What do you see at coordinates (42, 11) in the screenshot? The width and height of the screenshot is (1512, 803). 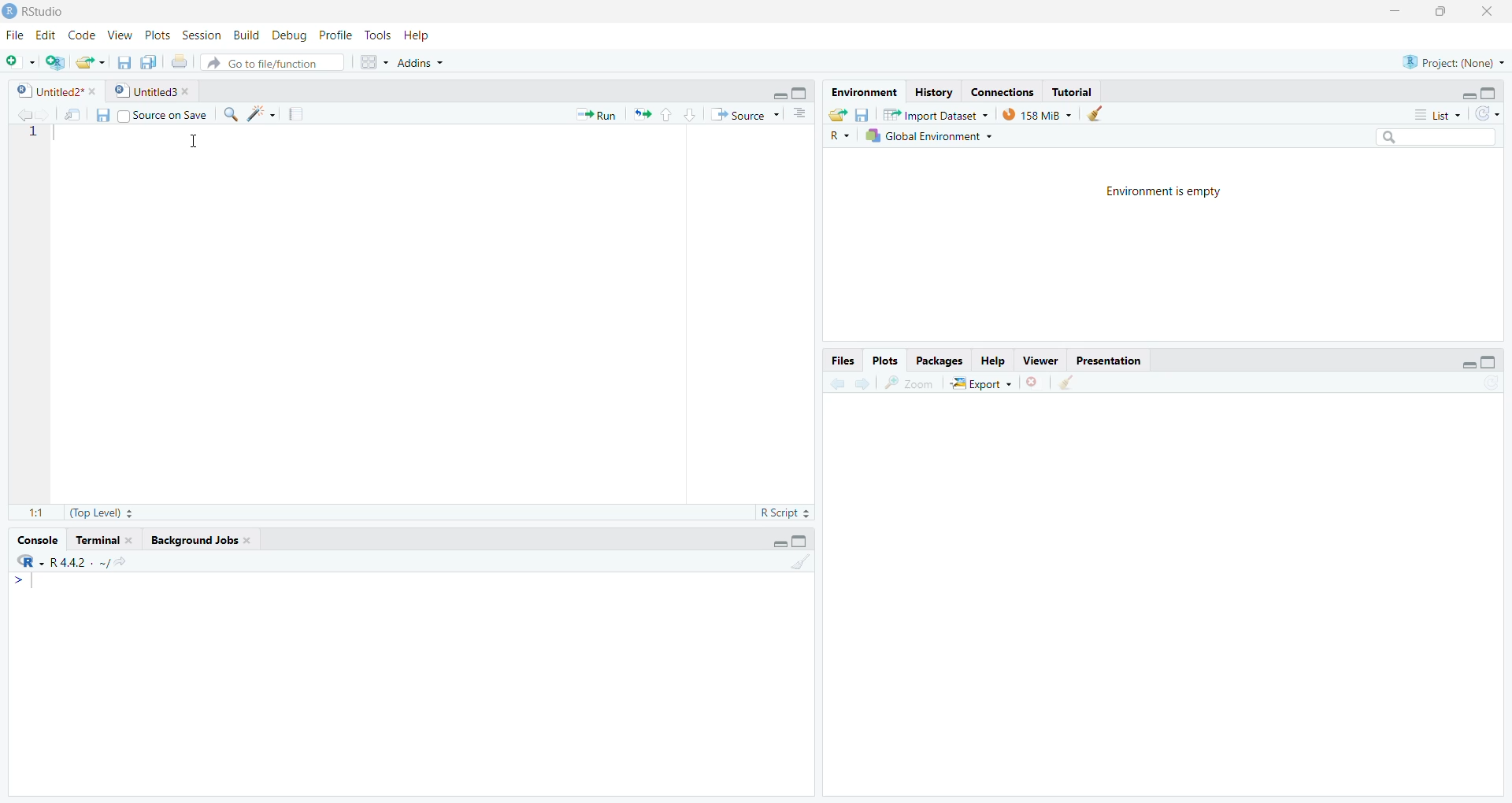 I see `RStudio` at bounding box center [42, 11].